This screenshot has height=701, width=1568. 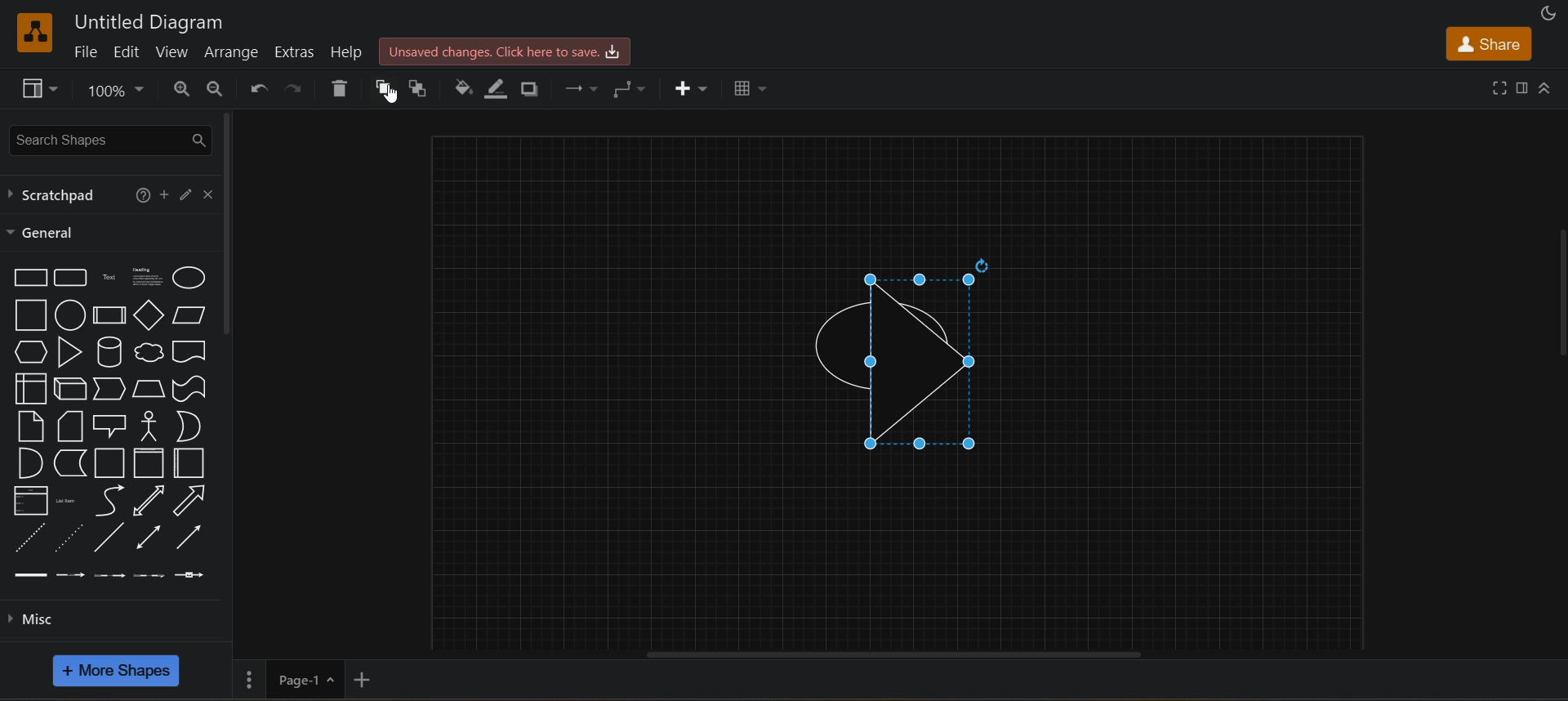 What do you see at coordinates (89, 52) in the screenshot?
I see `file` at bounding box center [89, 52].